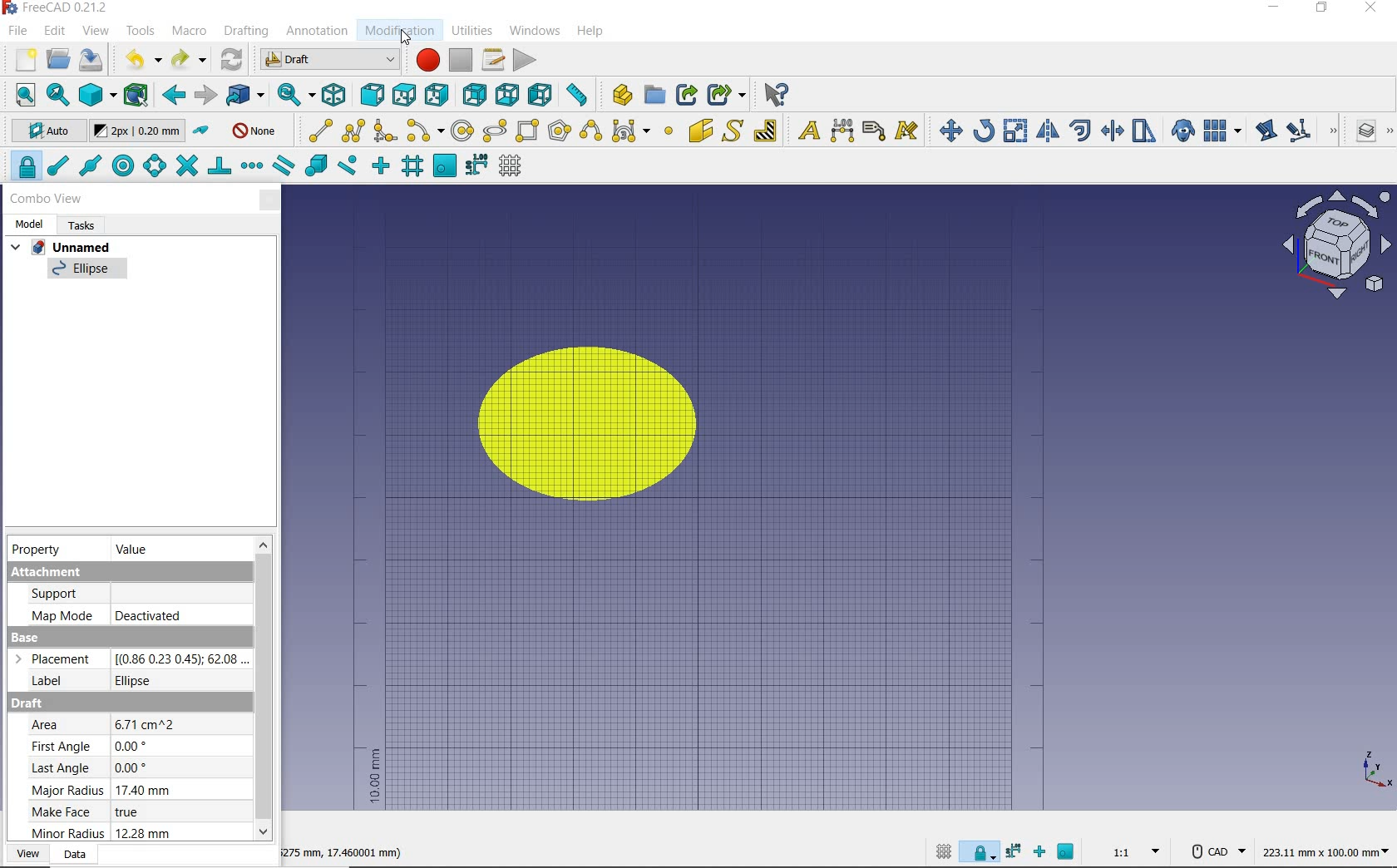 The width and height of the screenshot is (1397, 868). I want to click on toggle grid, so click(941, 853).